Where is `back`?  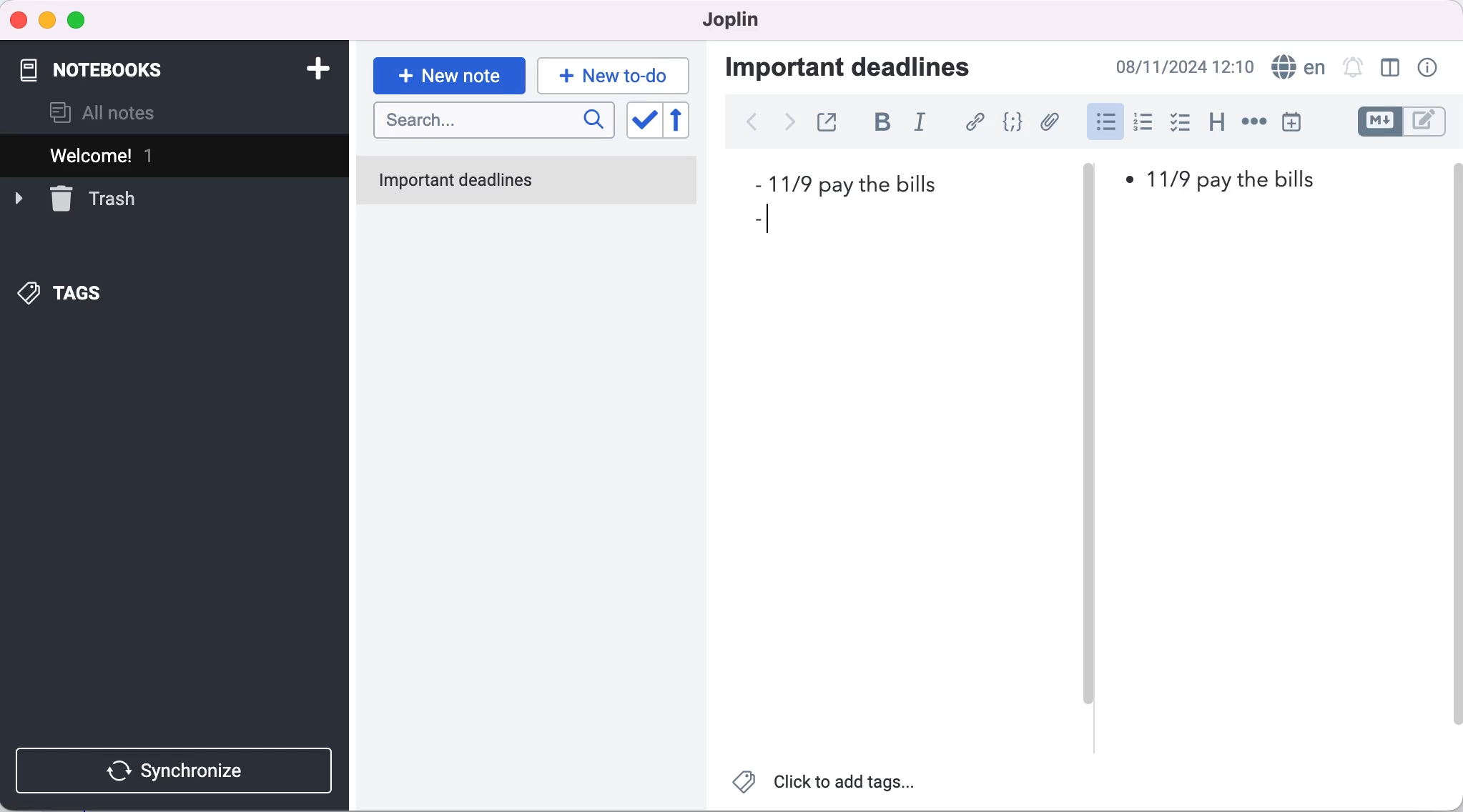 back is located at coordinates (754, 124).